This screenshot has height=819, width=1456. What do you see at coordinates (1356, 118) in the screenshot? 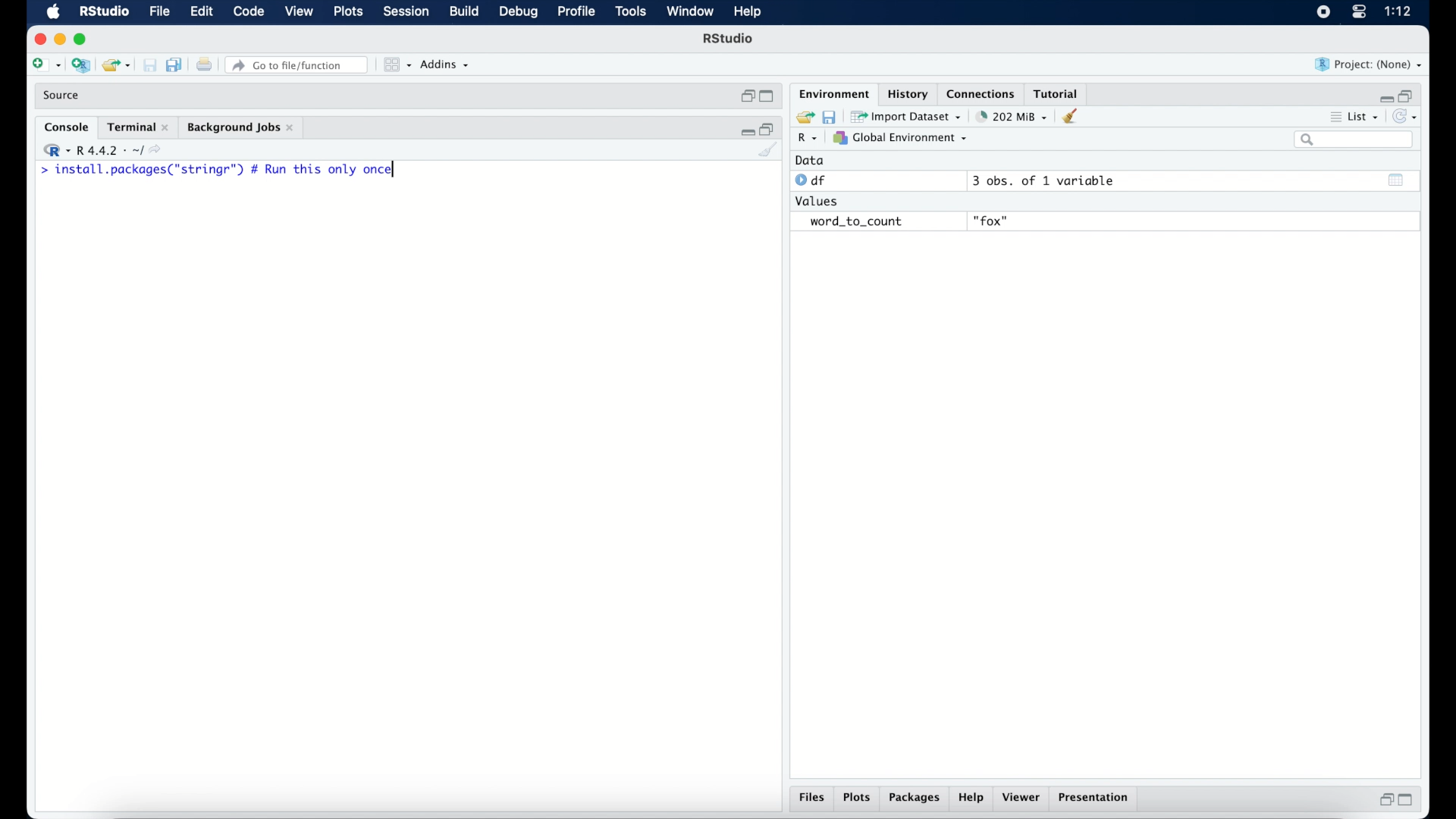
I see `list` at bounding box center [1356, 118].